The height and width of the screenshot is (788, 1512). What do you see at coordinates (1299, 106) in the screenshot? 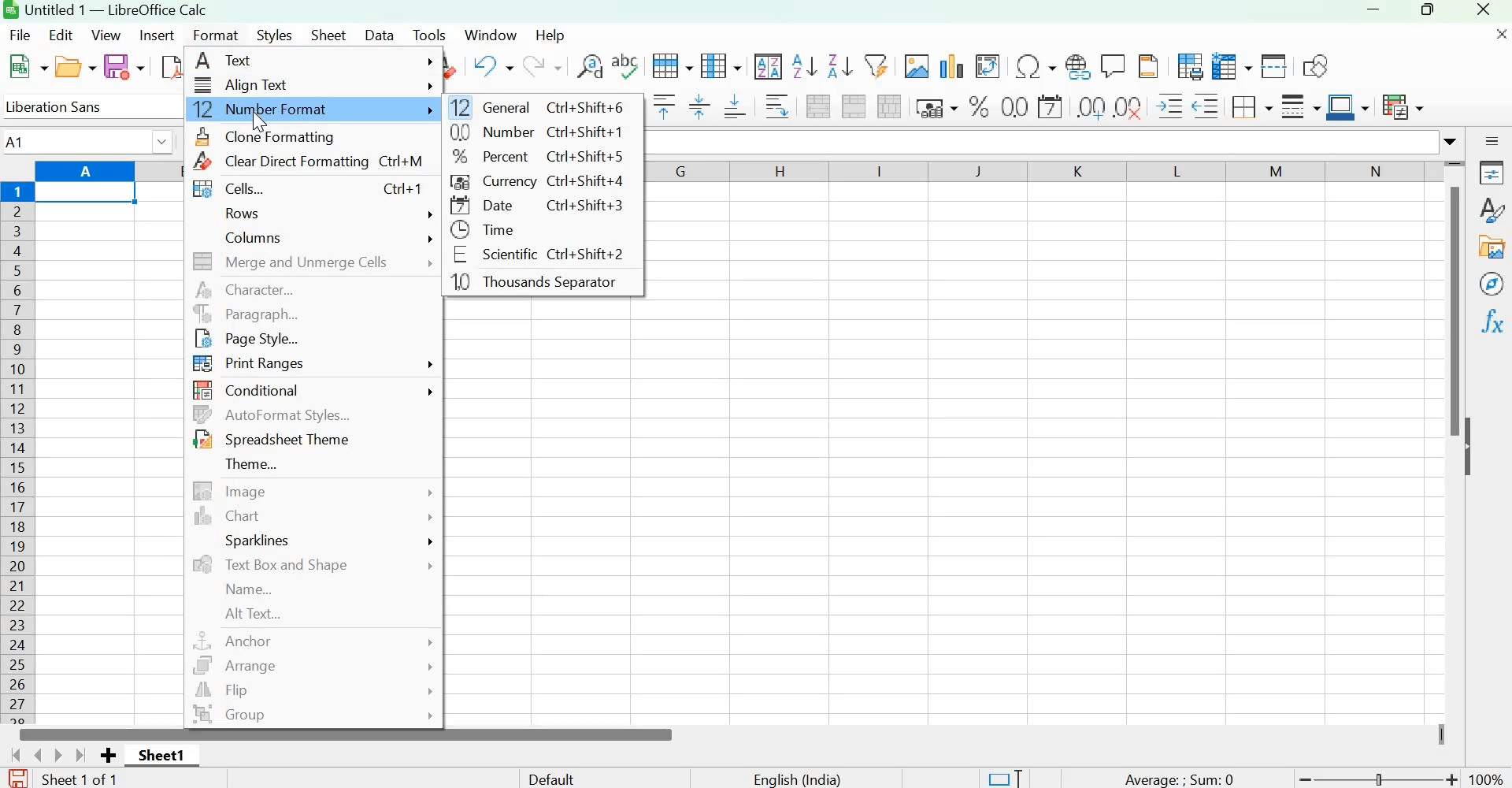
I see `Border style` at bounding box center [1299, 106].